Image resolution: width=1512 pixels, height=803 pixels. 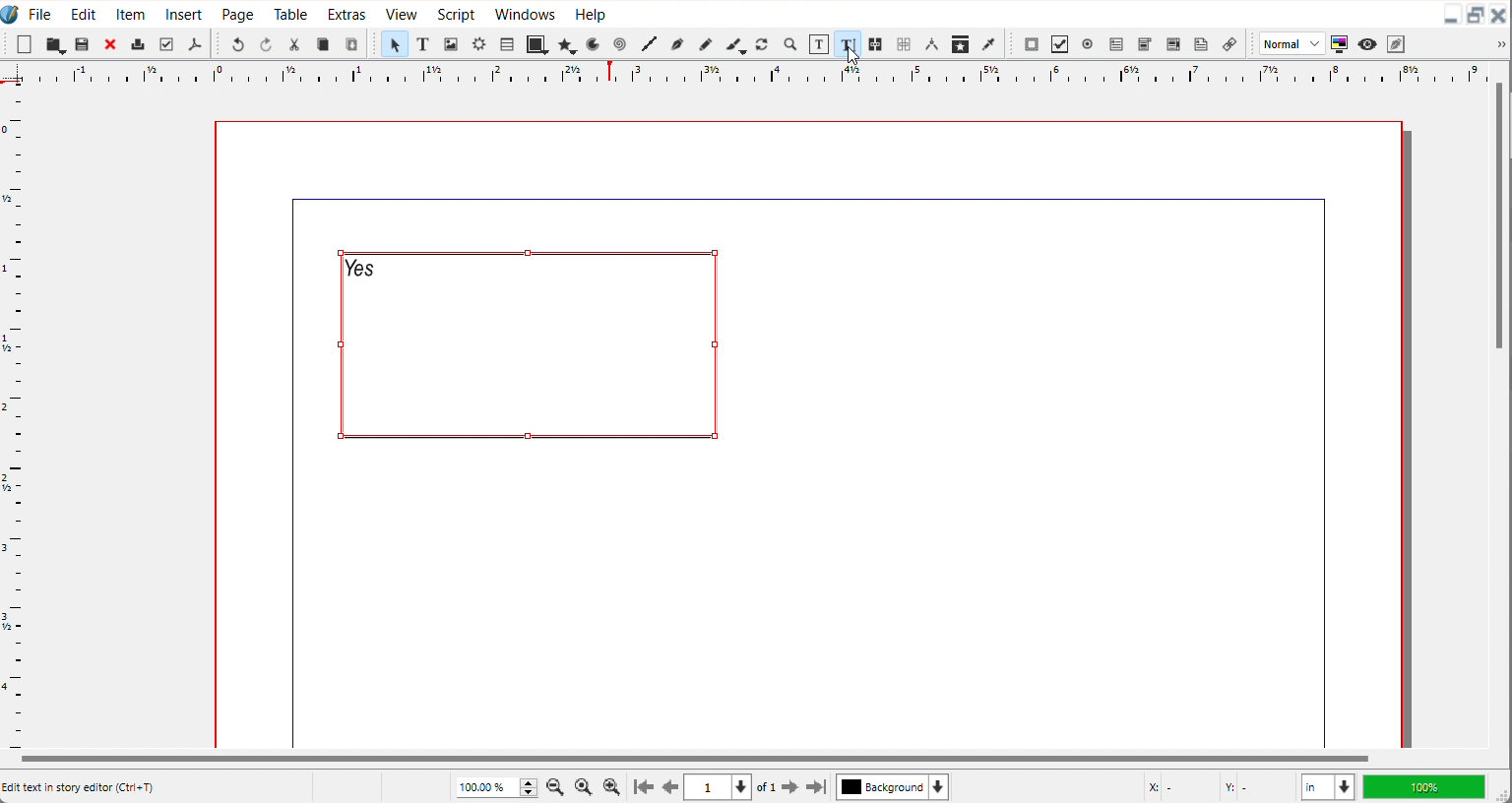 I want to click on Arc, so click(x=595, y=43).